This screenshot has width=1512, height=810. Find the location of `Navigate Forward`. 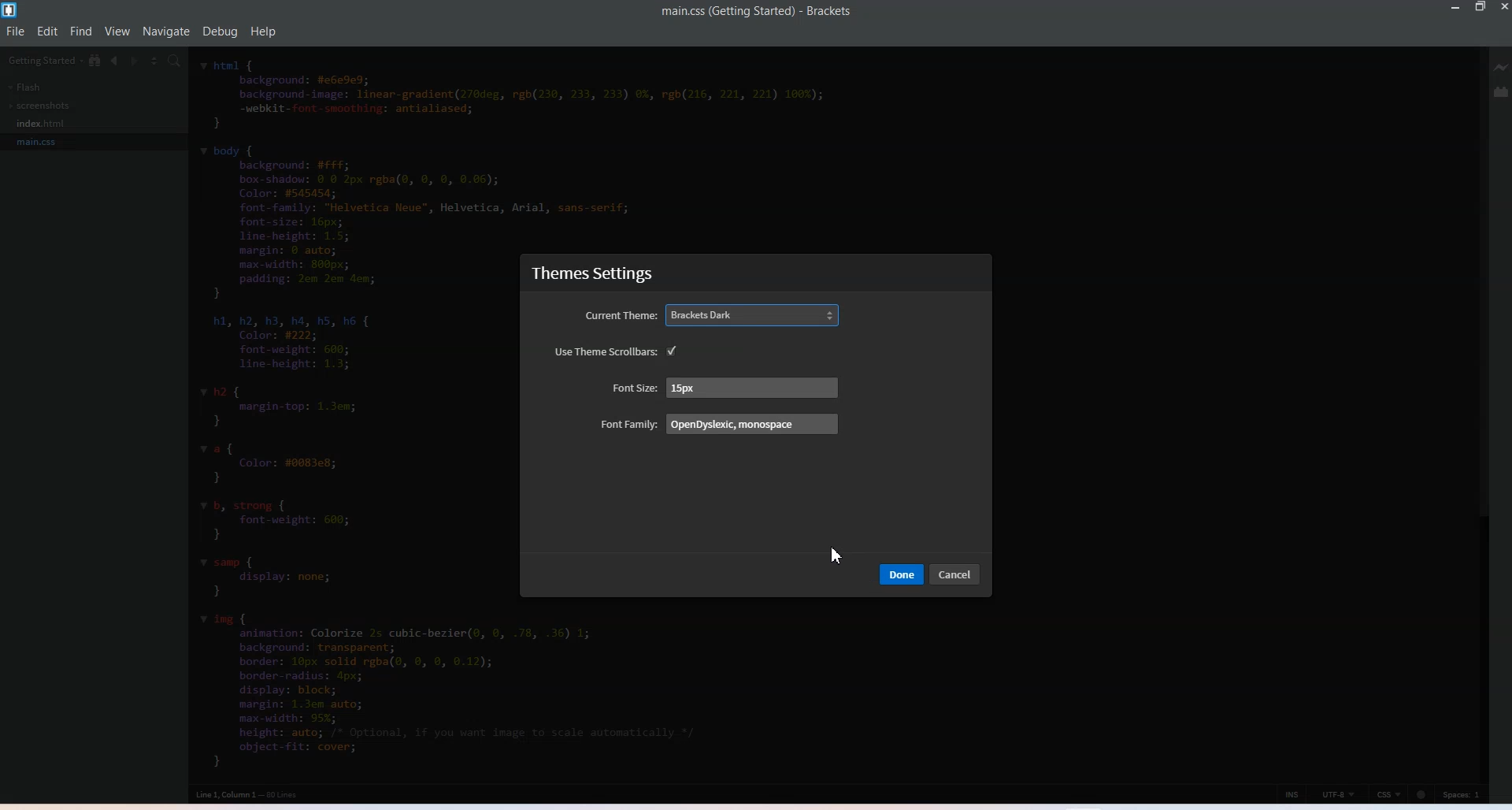

Navigate Forward is located at coordinates (135, 61).